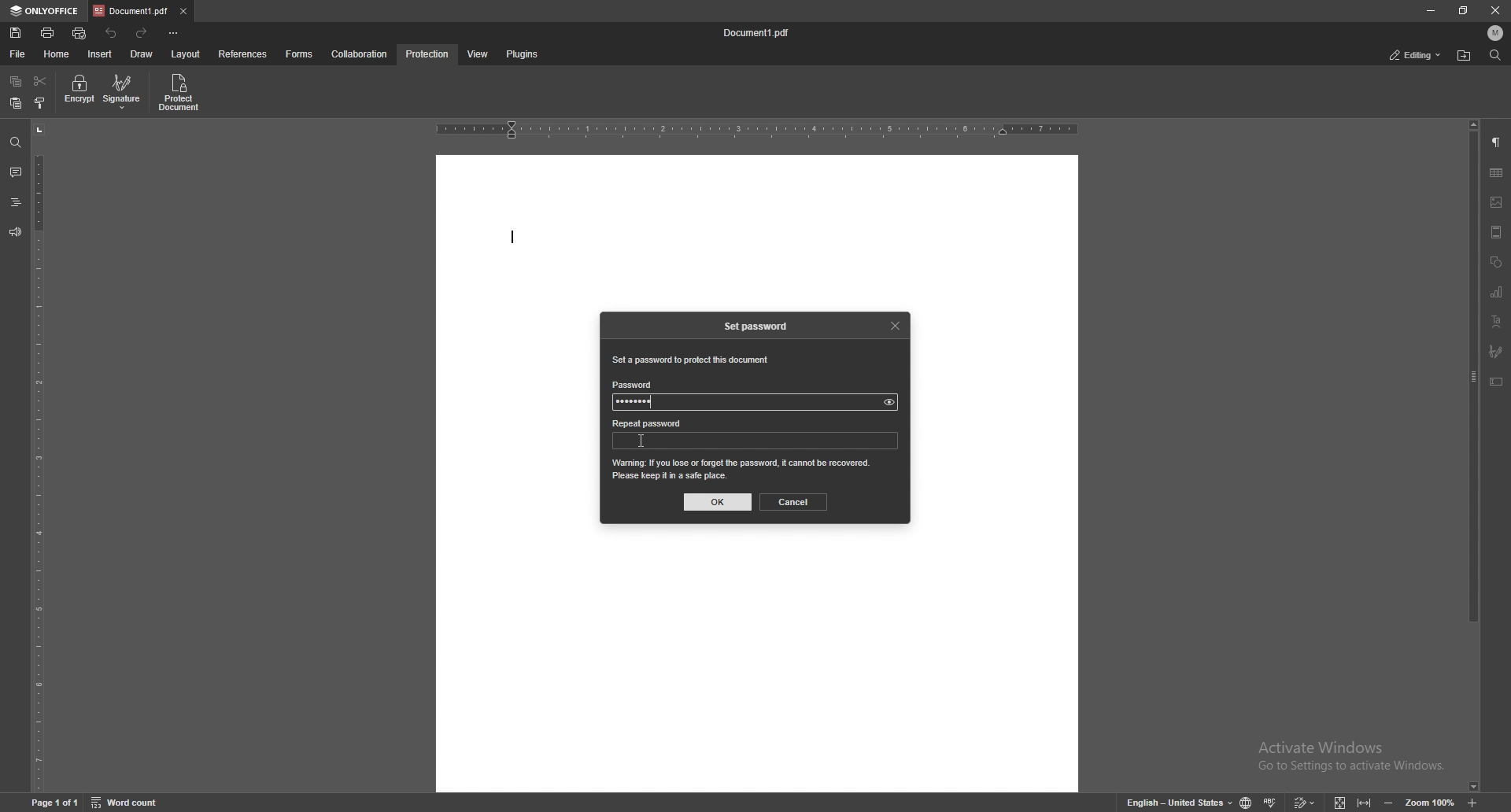 The height and width of the screenshot is (812, 1511). I want to click on password, so click(637, 400).